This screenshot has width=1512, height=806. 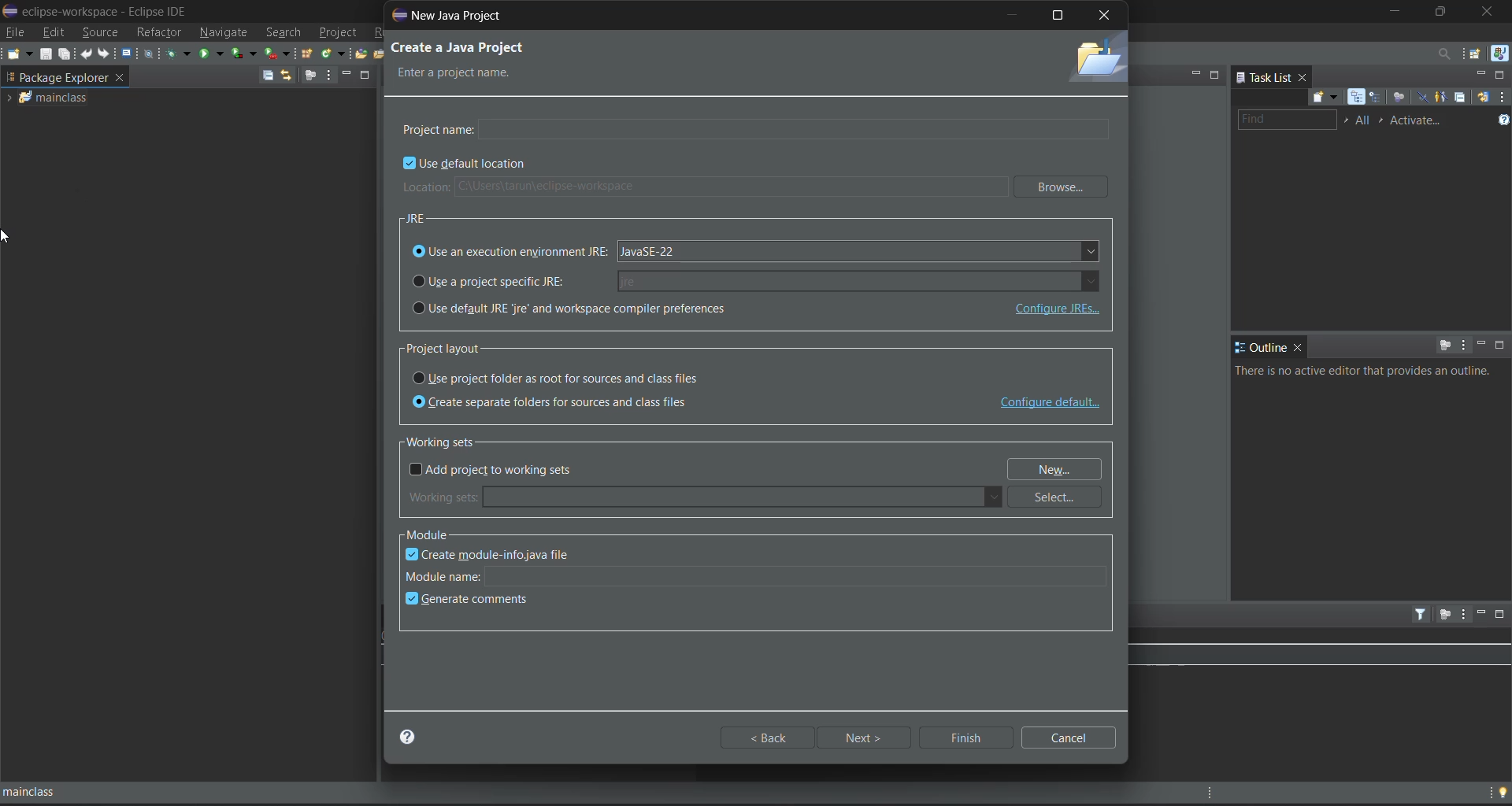 I want to click on maximize, so click(x=1501, y=345).